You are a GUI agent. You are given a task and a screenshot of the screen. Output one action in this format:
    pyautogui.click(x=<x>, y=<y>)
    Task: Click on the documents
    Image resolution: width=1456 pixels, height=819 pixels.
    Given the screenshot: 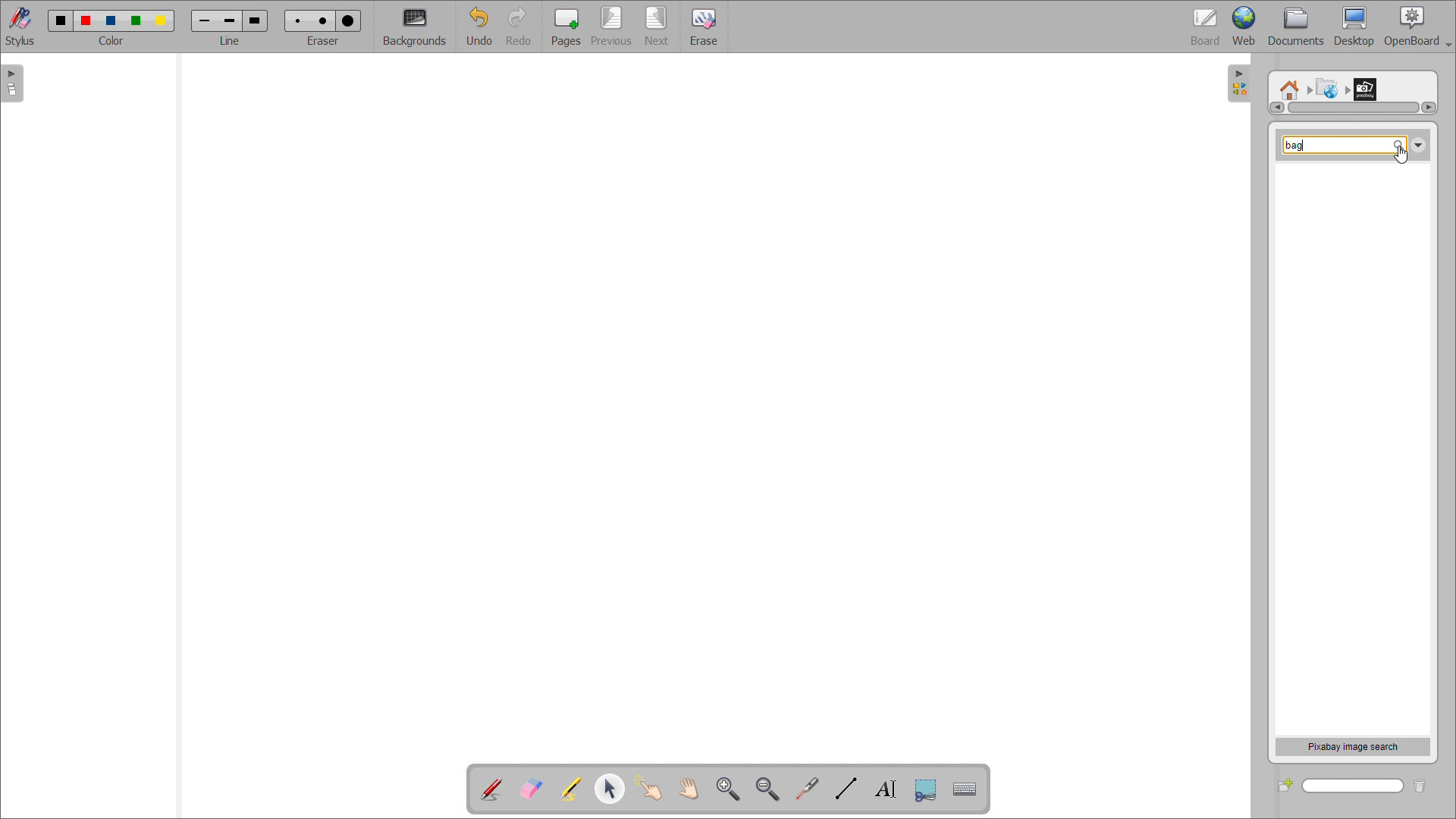 What is the action you would take?
    pyautogui.click(x=1297, y=27)
    